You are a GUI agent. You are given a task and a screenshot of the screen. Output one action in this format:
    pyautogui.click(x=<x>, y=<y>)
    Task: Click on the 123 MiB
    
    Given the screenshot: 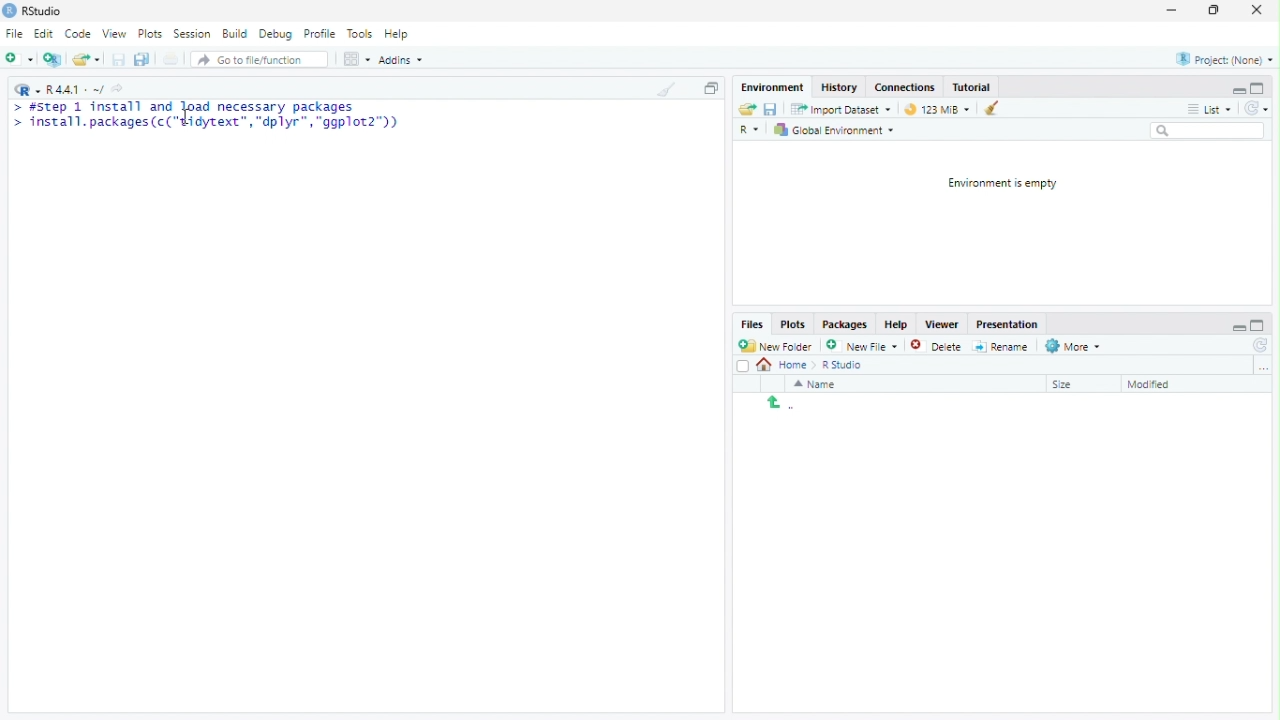 What is the action you would take?
    pyautogui.click(x=934, y=107)
    